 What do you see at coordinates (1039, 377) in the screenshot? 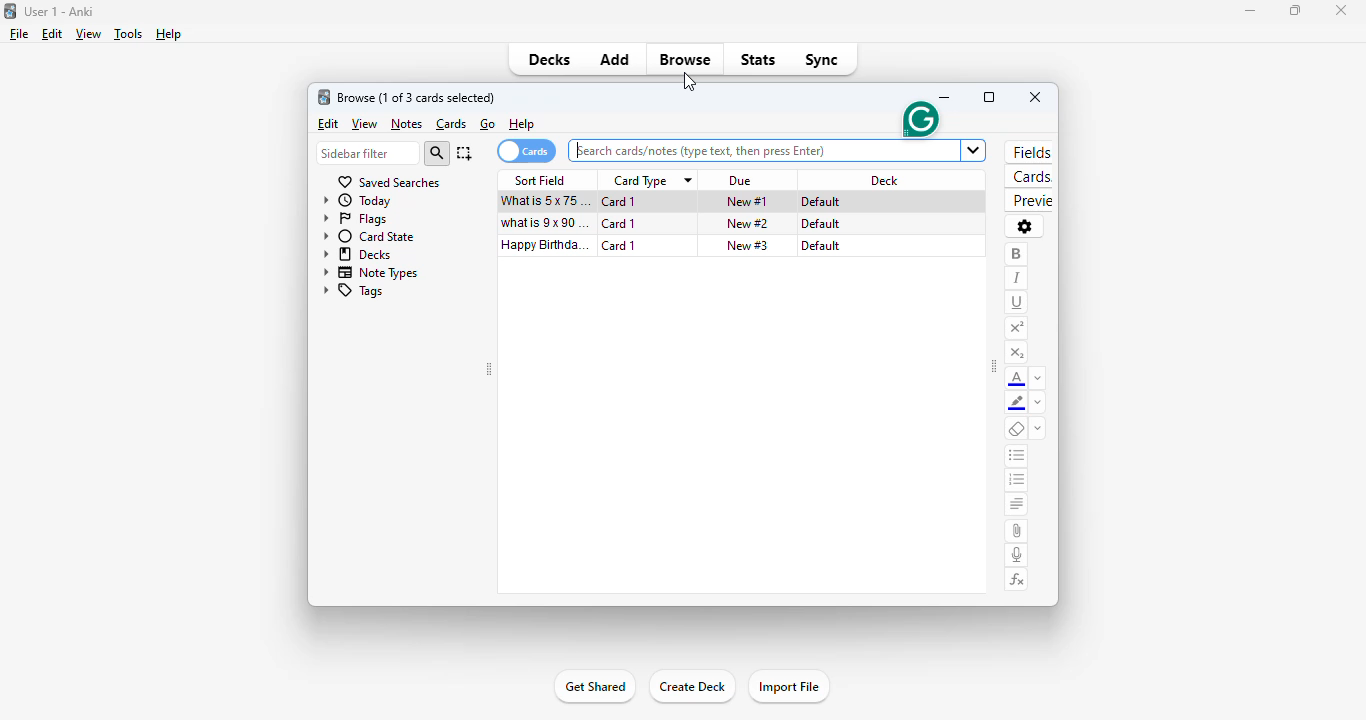
I see `change color` at bounding box center [1039, 377].